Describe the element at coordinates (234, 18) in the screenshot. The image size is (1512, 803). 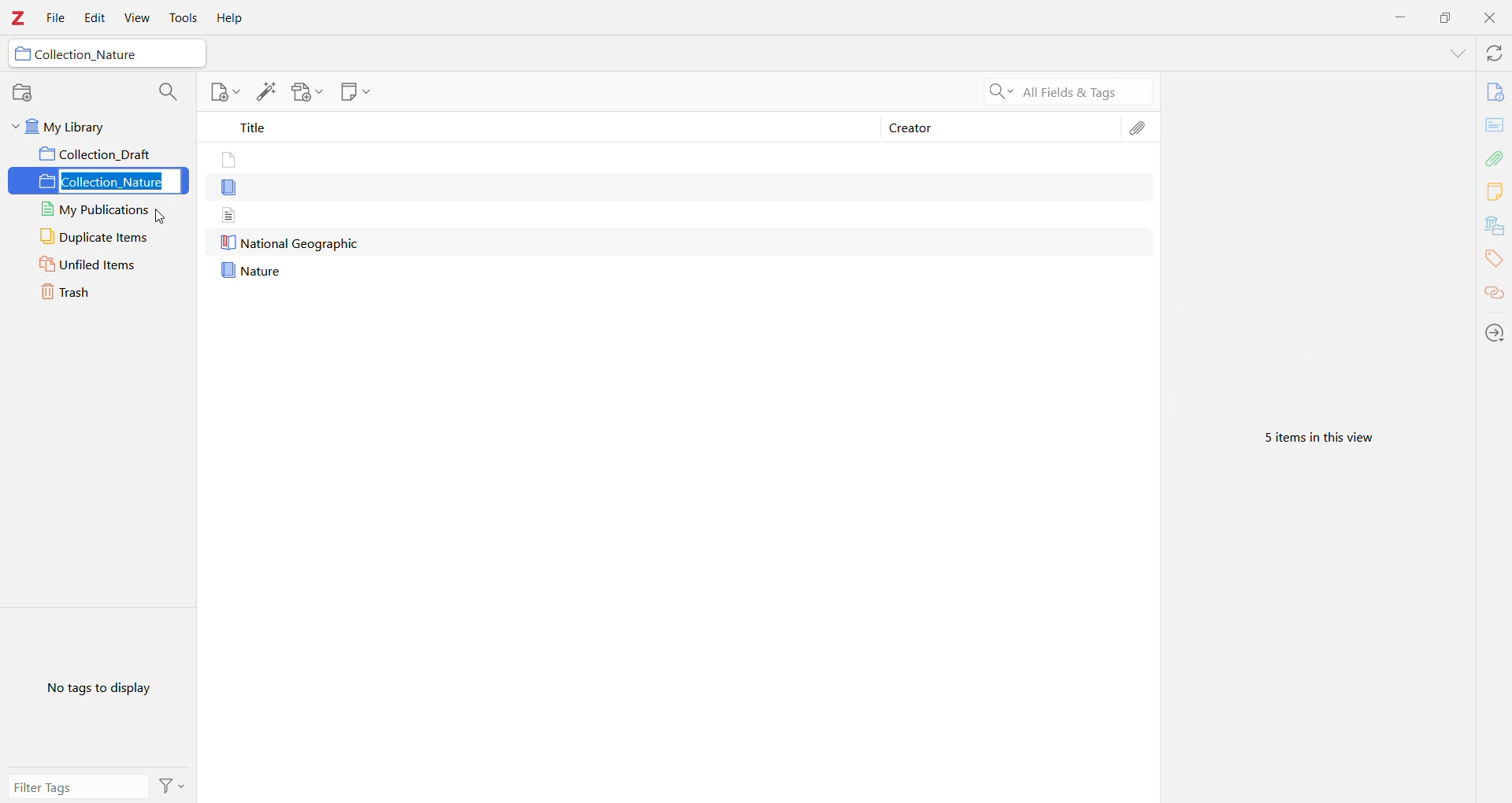
I see `Help` at that location.